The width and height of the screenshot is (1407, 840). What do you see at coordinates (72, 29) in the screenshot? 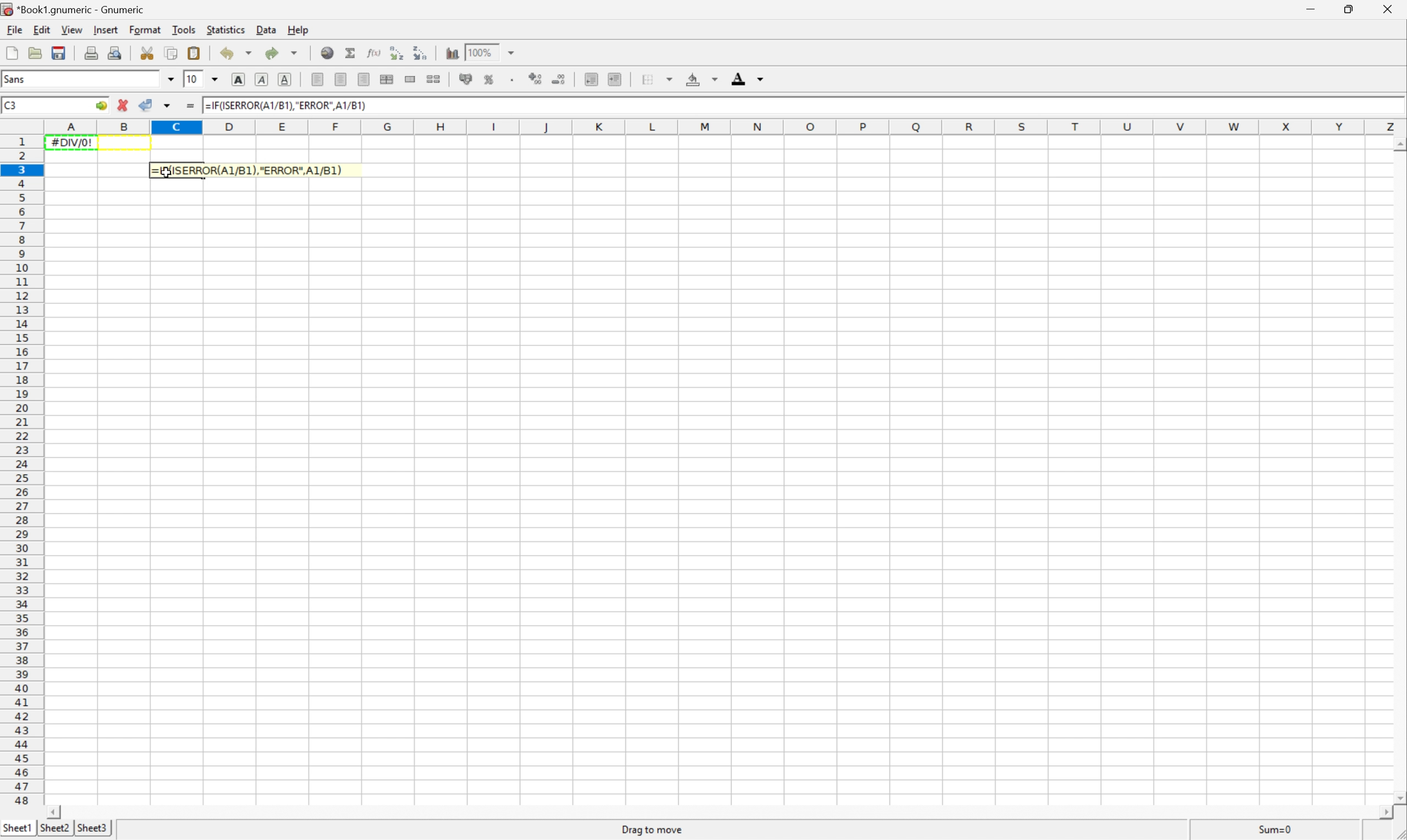
I see `View` at bounding box center [72, 29].